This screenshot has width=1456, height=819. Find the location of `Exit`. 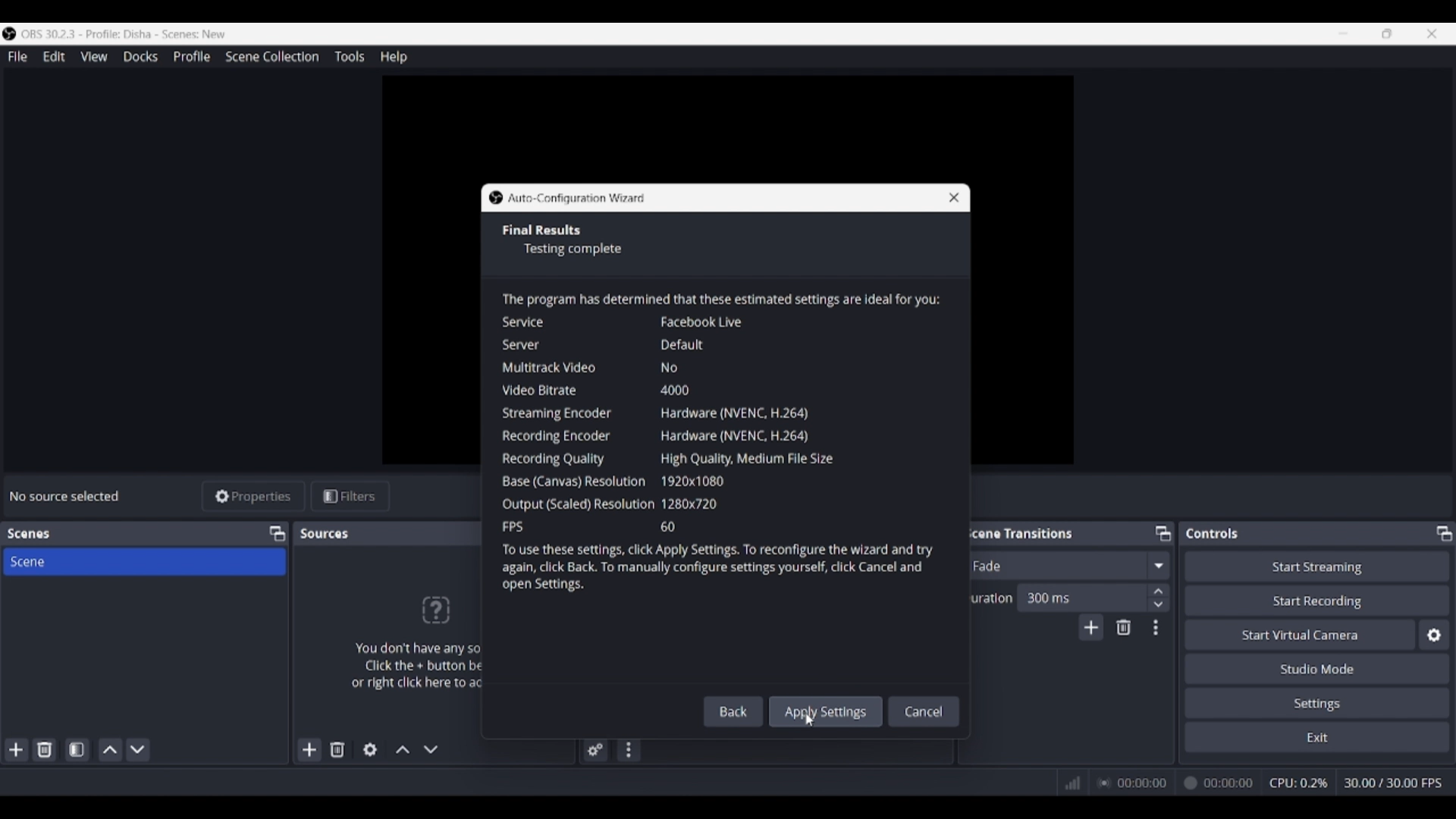

Exit is located at coordinates (1317, 736).